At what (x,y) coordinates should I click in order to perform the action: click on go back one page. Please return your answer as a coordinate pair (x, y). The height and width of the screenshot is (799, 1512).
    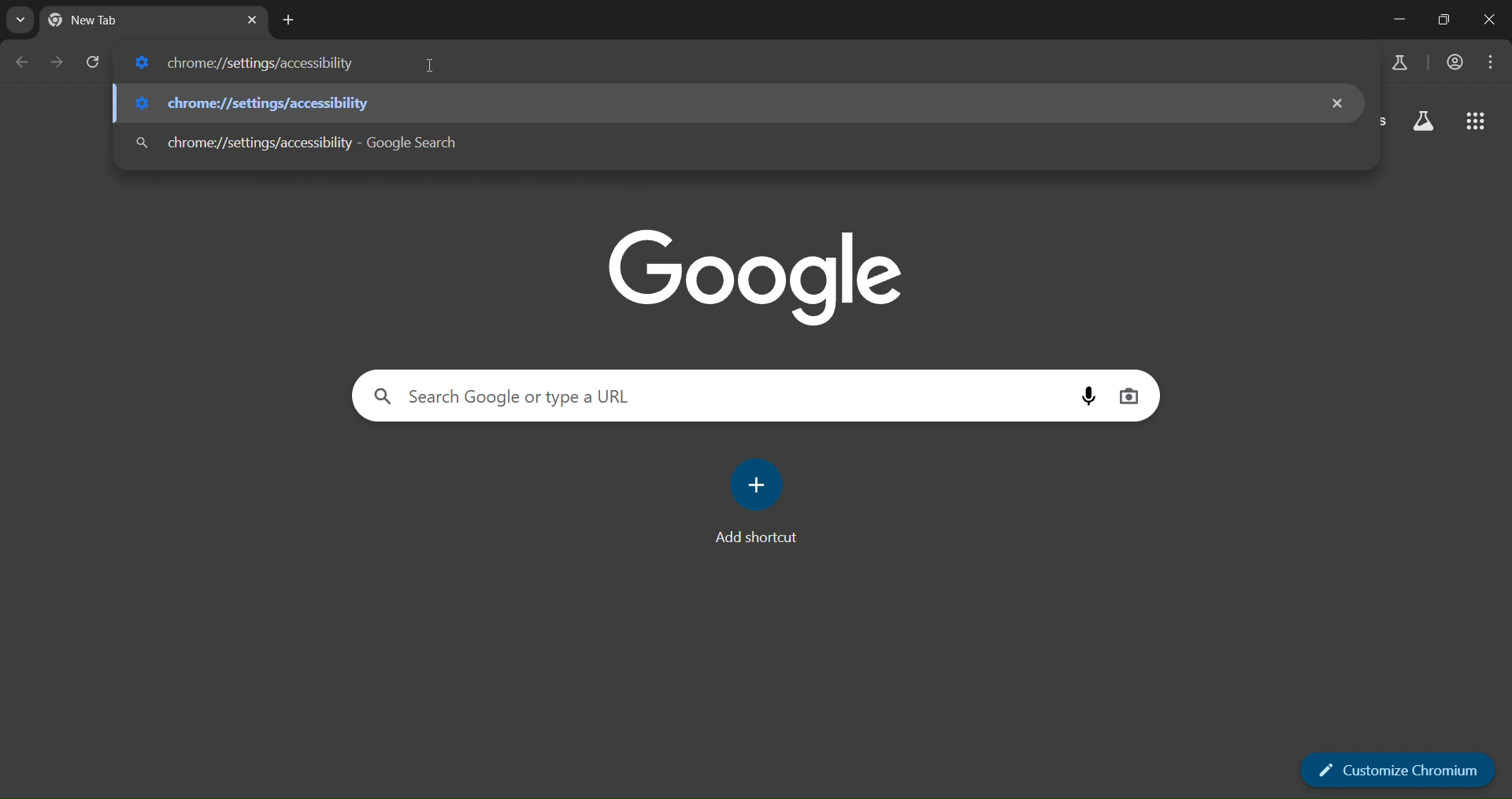
    Looking at the image, I should click on (25, 62).